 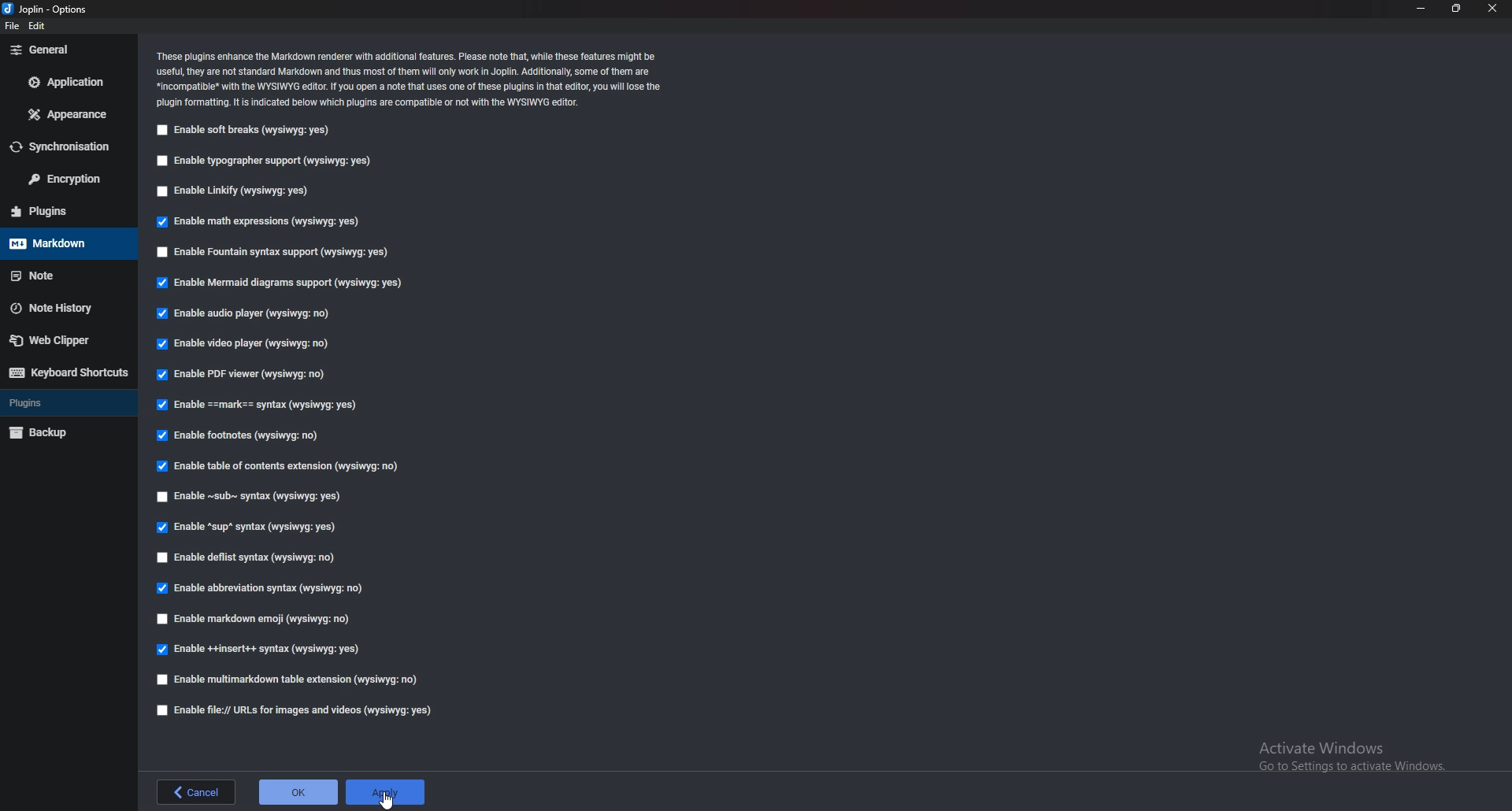 What do you see at coordinates (264, 161) in the screenshot?
I see `Enable typographer support` at bounding box center [264, 161].